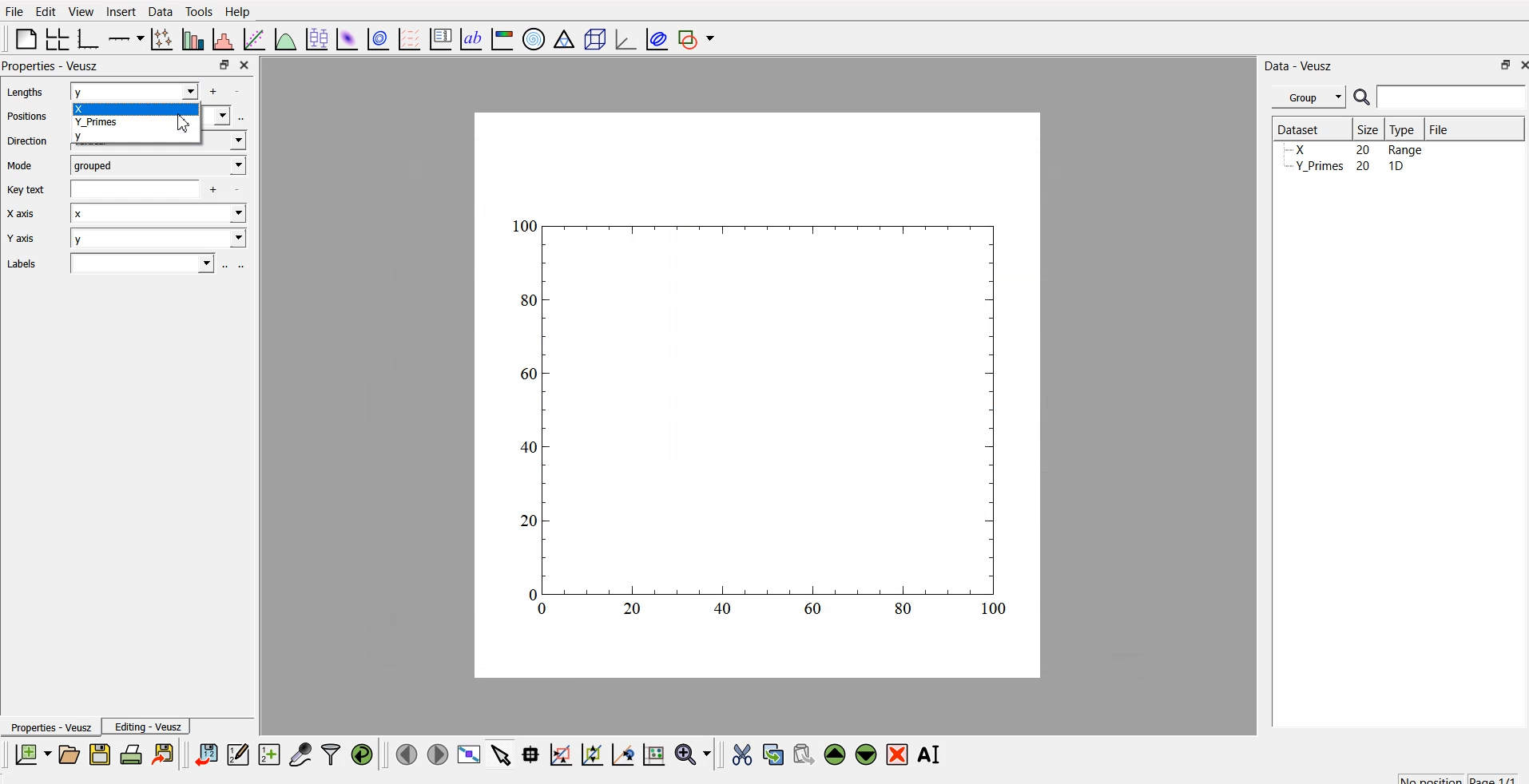 The height and width of the screenshot is (784, 1529). Describe the element at coordinates (121, 11) in the screenshot. I see `Insert` at that location.